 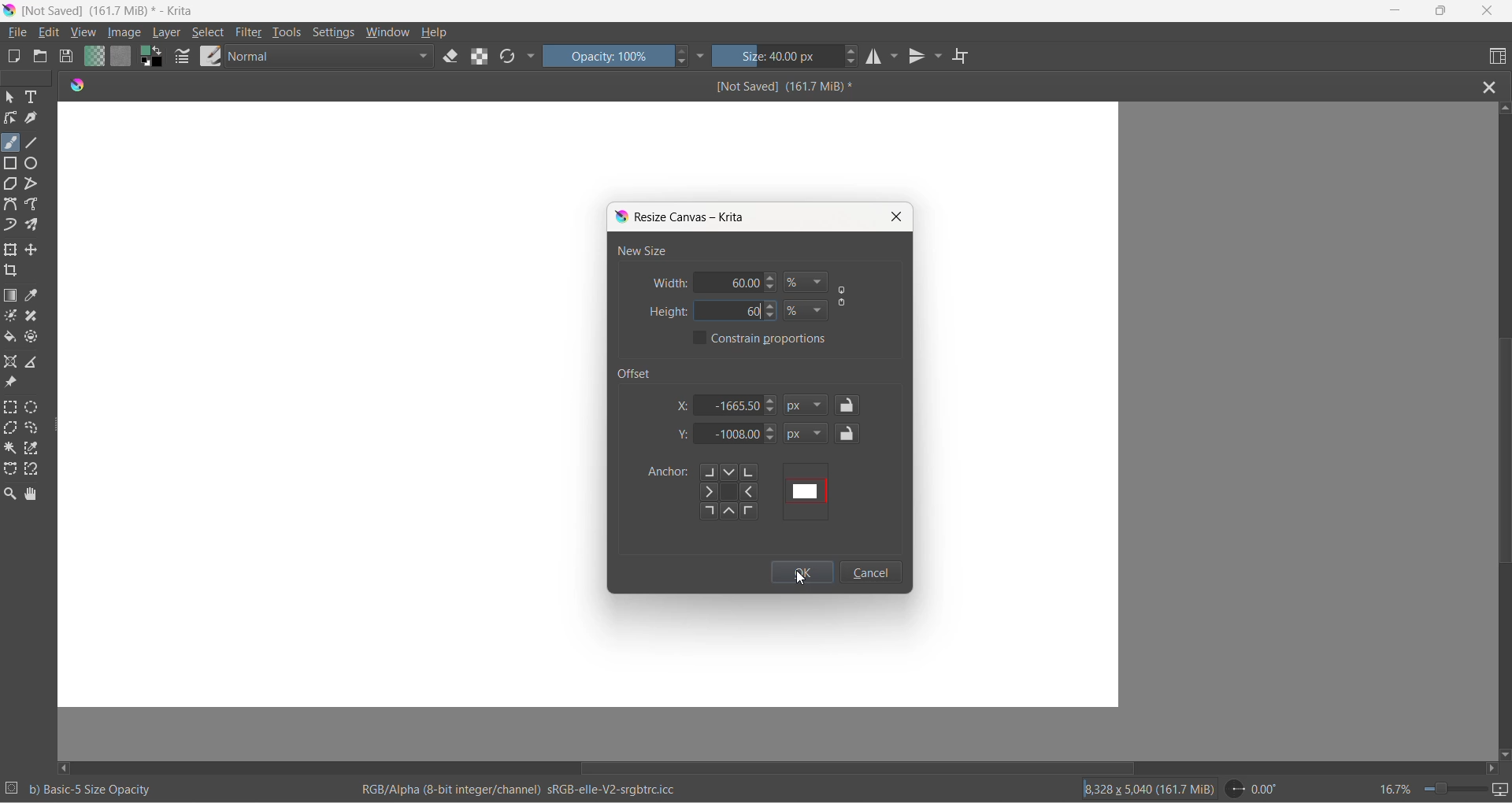 I want to click on Cursor on image, so click(x=129, y=33).